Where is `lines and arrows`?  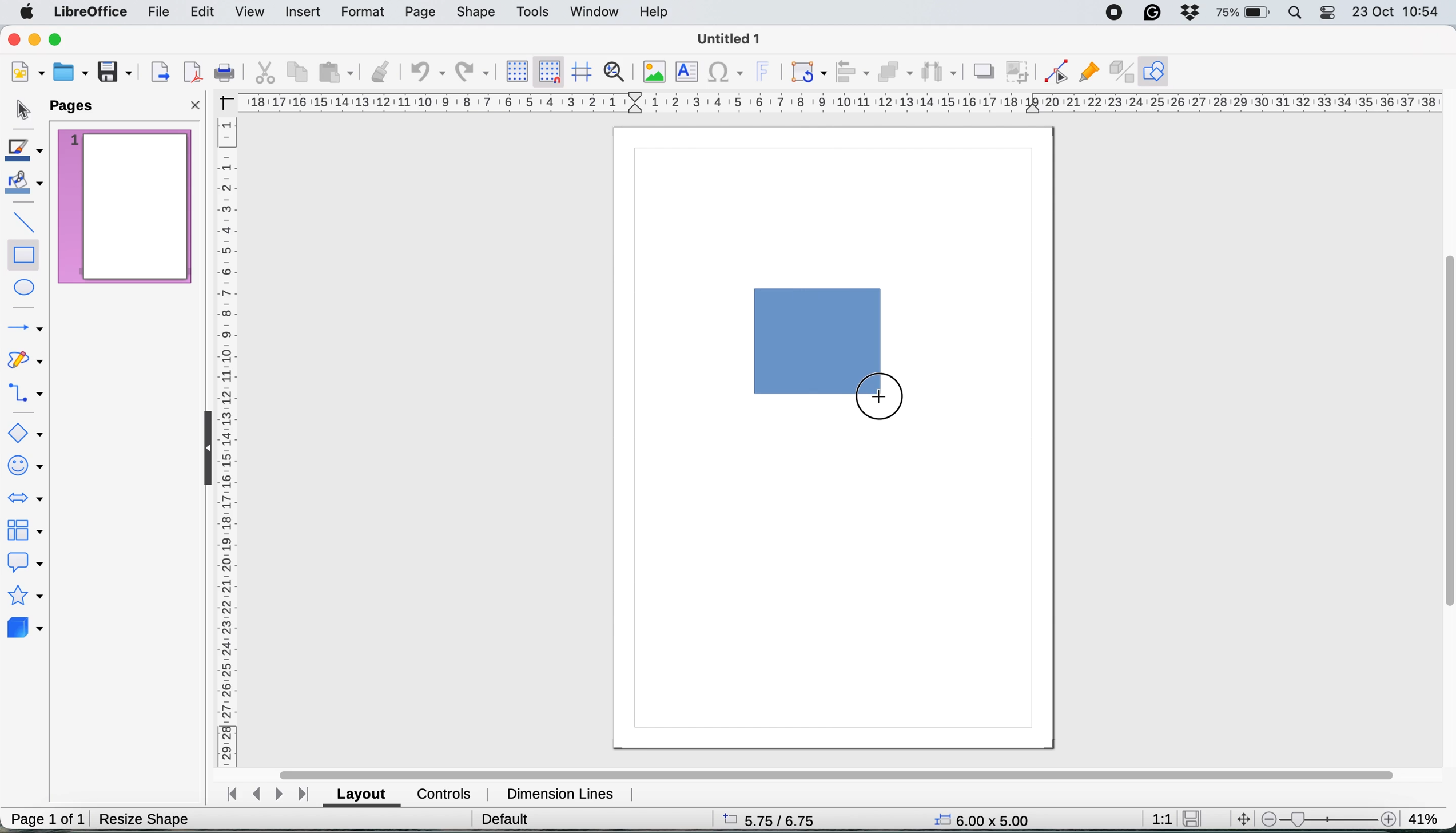 lines and arrows is located at coordinates (24, 329).